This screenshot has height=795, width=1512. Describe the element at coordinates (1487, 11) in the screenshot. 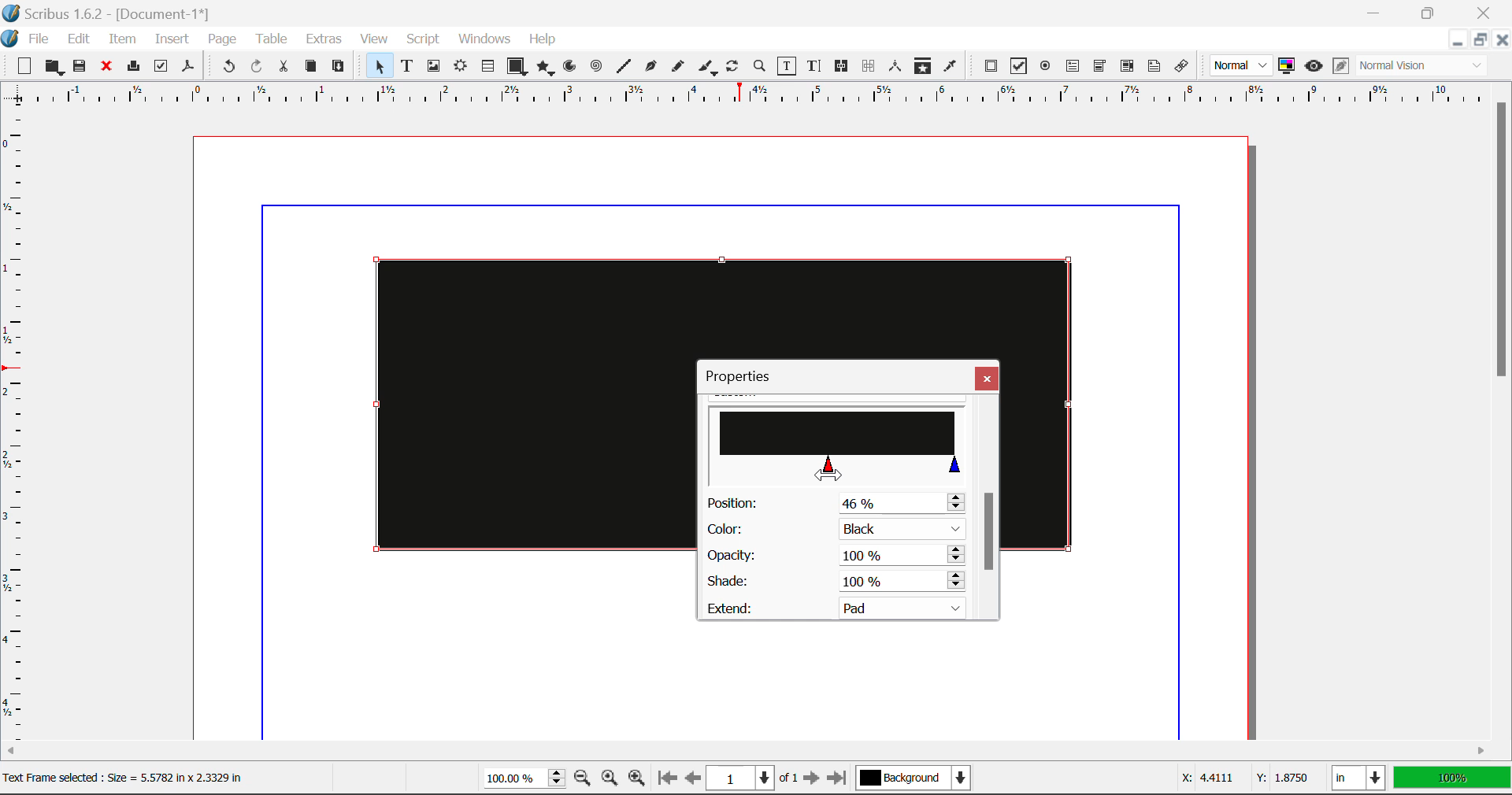

I see `Close` at that location.